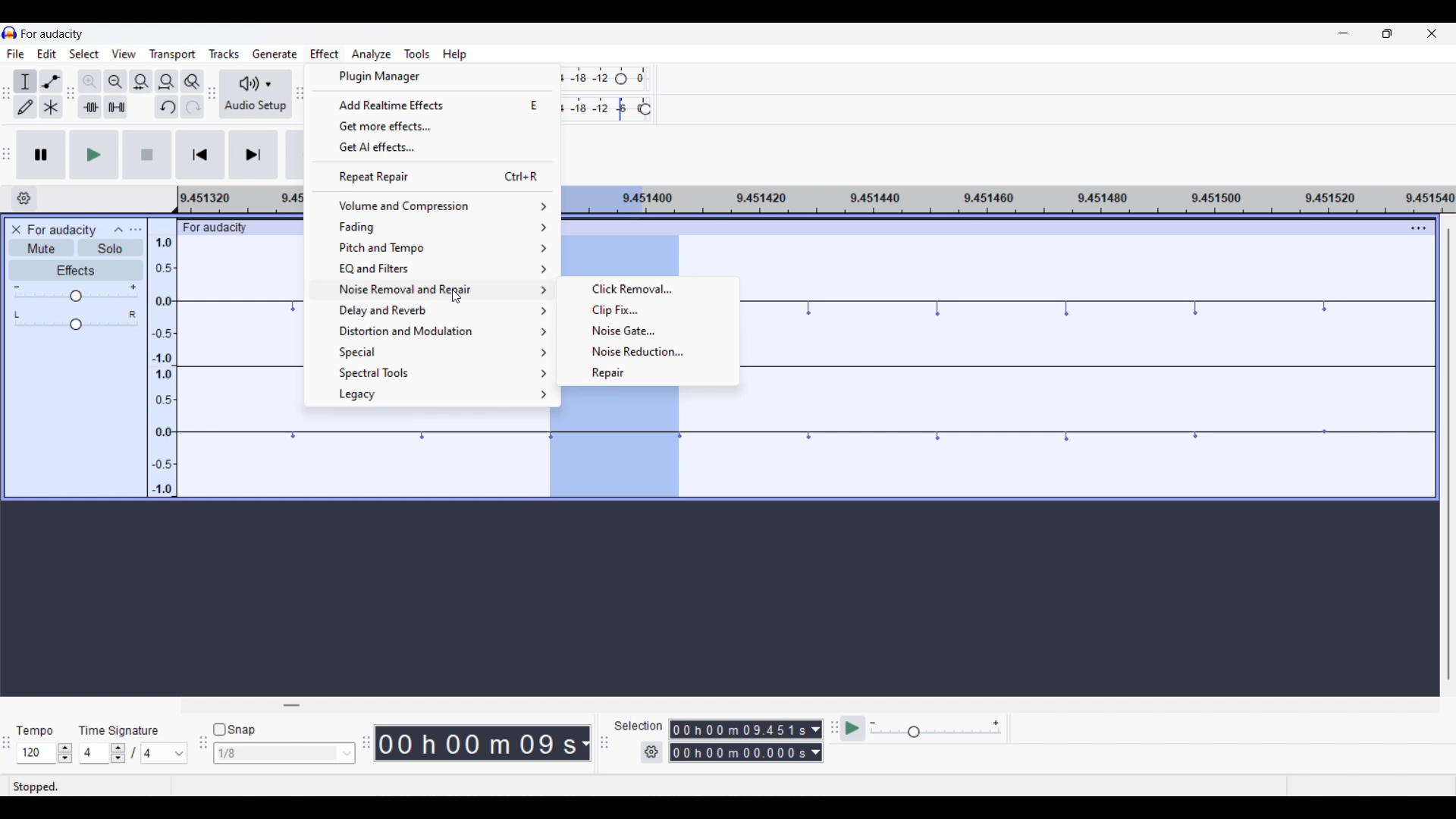 The width and height of the screenshot is (1456, 819). I want to click on Indicates time signature settings, so click(118, 731).